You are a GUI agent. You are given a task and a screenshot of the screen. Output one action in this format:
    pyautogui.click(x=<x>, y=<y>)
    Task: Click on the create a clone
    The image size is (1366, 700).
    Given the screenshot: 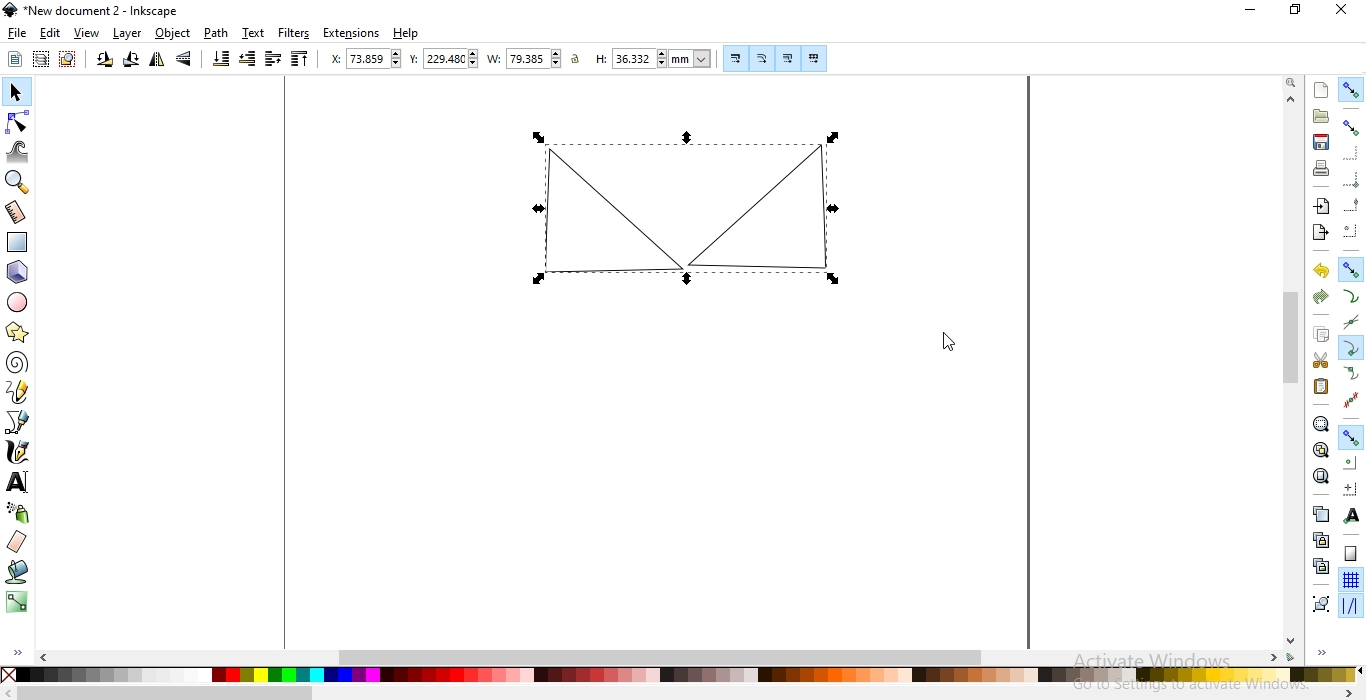 What is the action you would take?
    pyautogui.click(x=1317, y=539)
    